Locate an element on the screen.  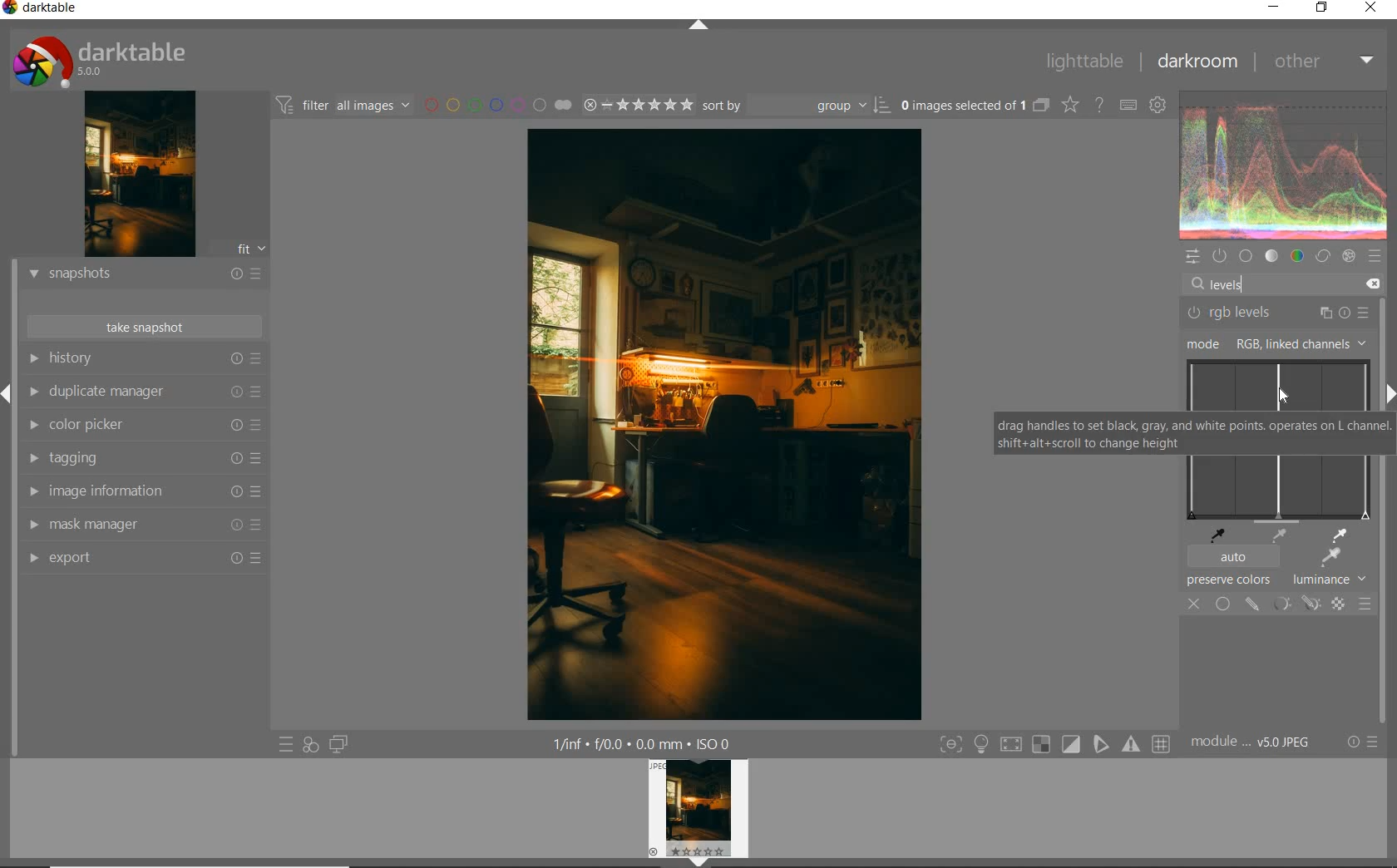
sort is located at coordinates (797, 106).